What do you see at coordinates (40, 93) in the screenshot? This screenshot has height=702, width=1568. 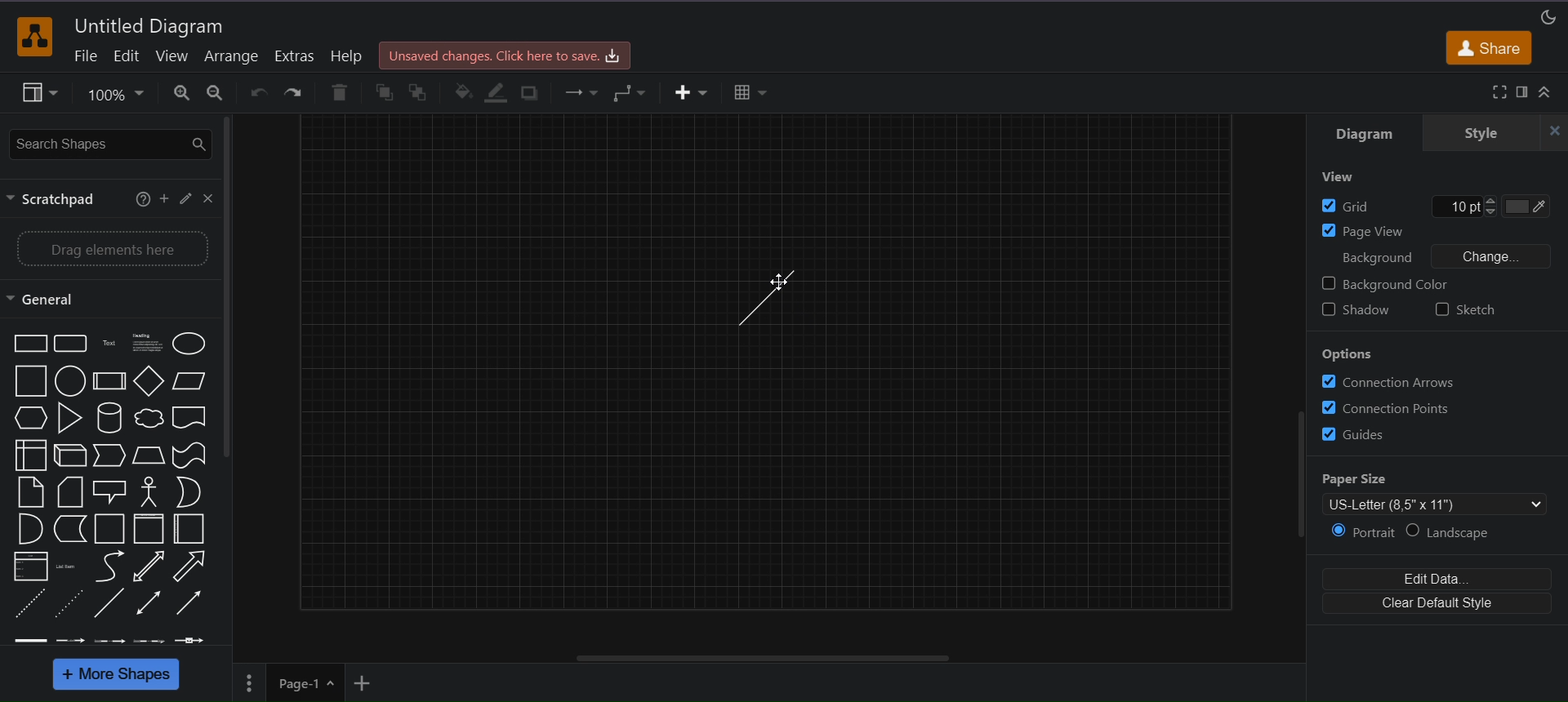 I see `view` at bounding box center [40, 93].